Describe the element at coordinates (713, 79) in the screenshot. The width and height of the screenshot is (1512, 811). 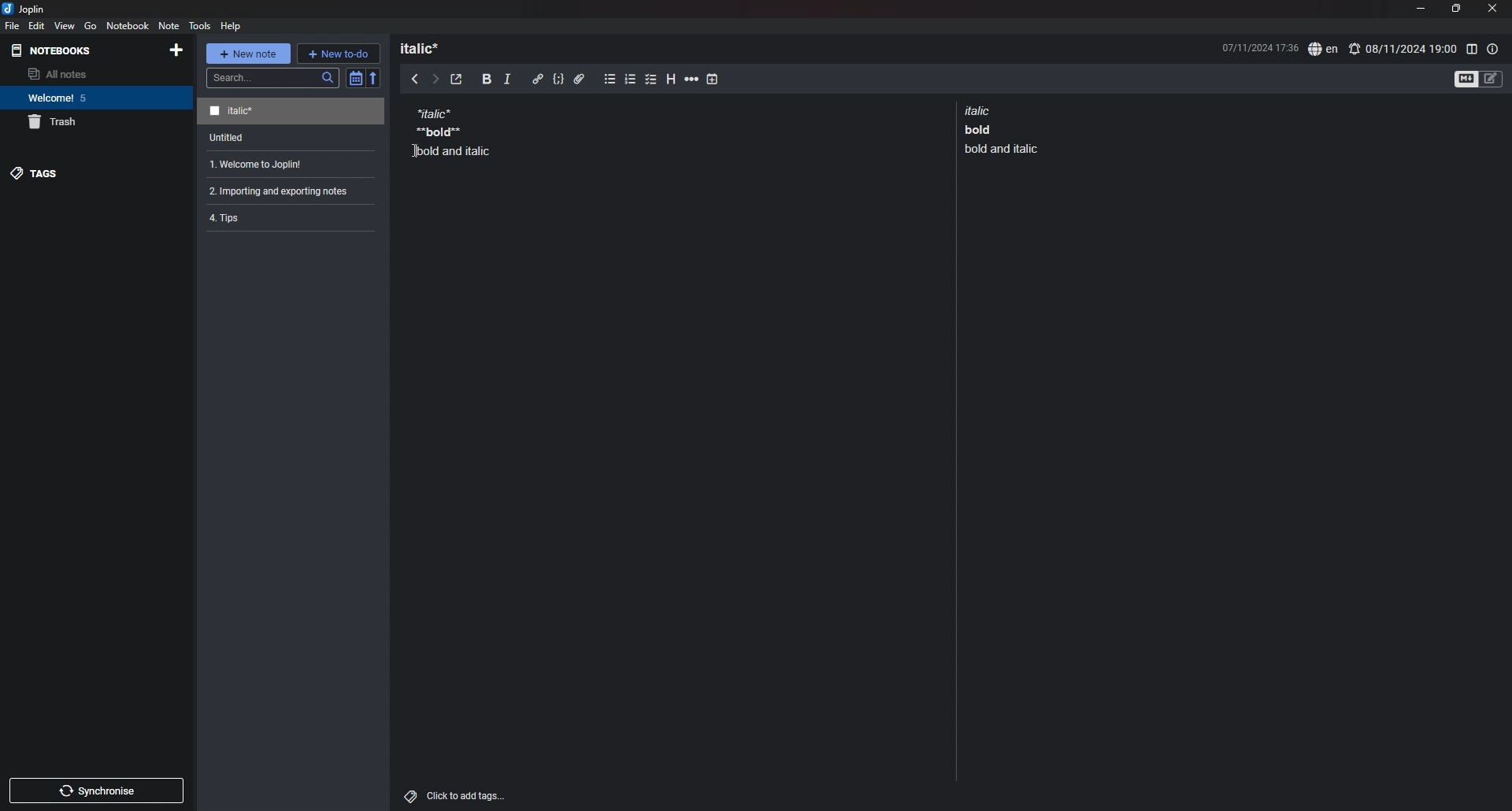
I see `add time` at that location.